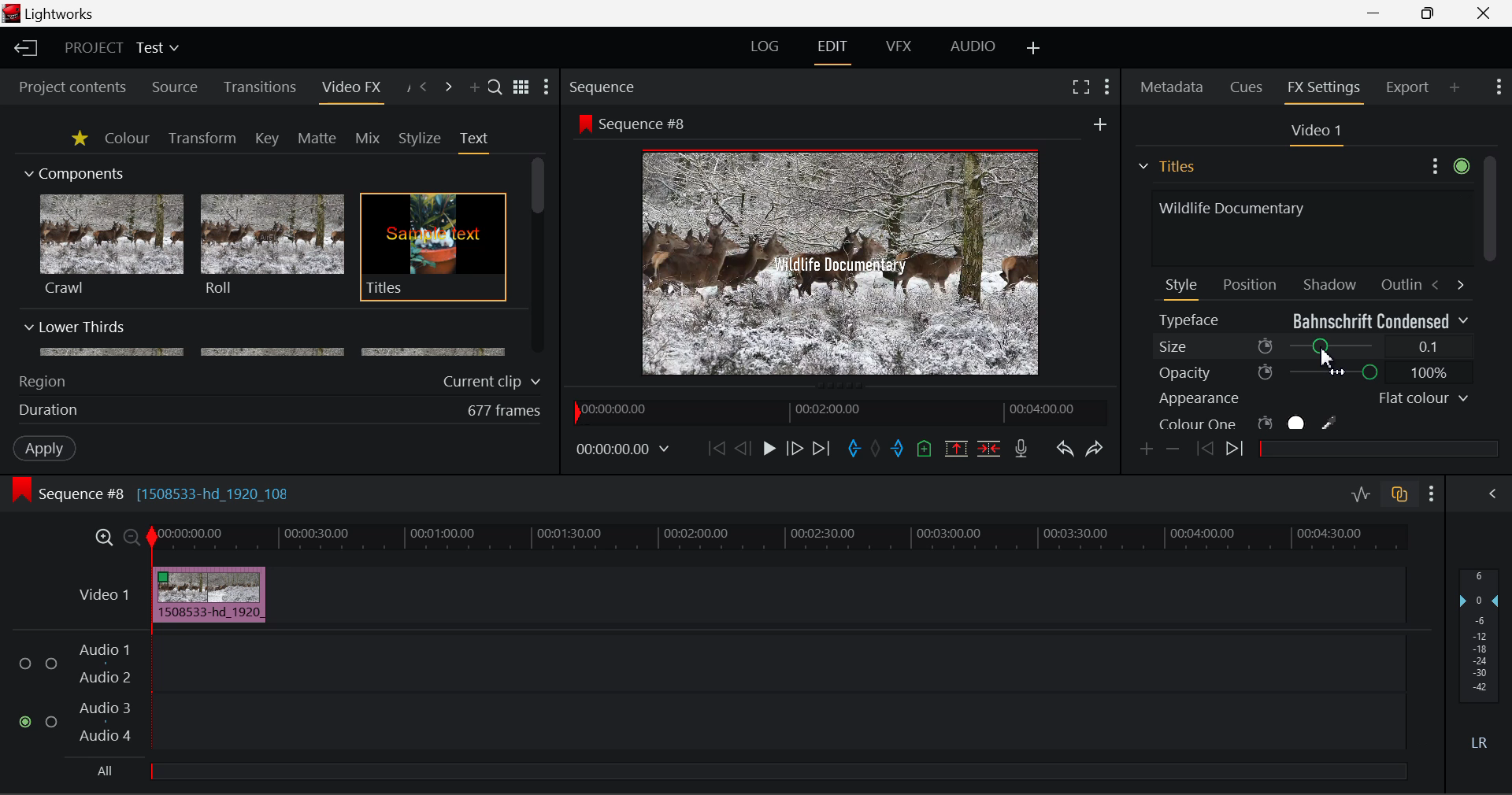  What do you see at coordinates (1109, 87) in the screenshot?
I see `Show Settings` at bounding box center [1109, 87].